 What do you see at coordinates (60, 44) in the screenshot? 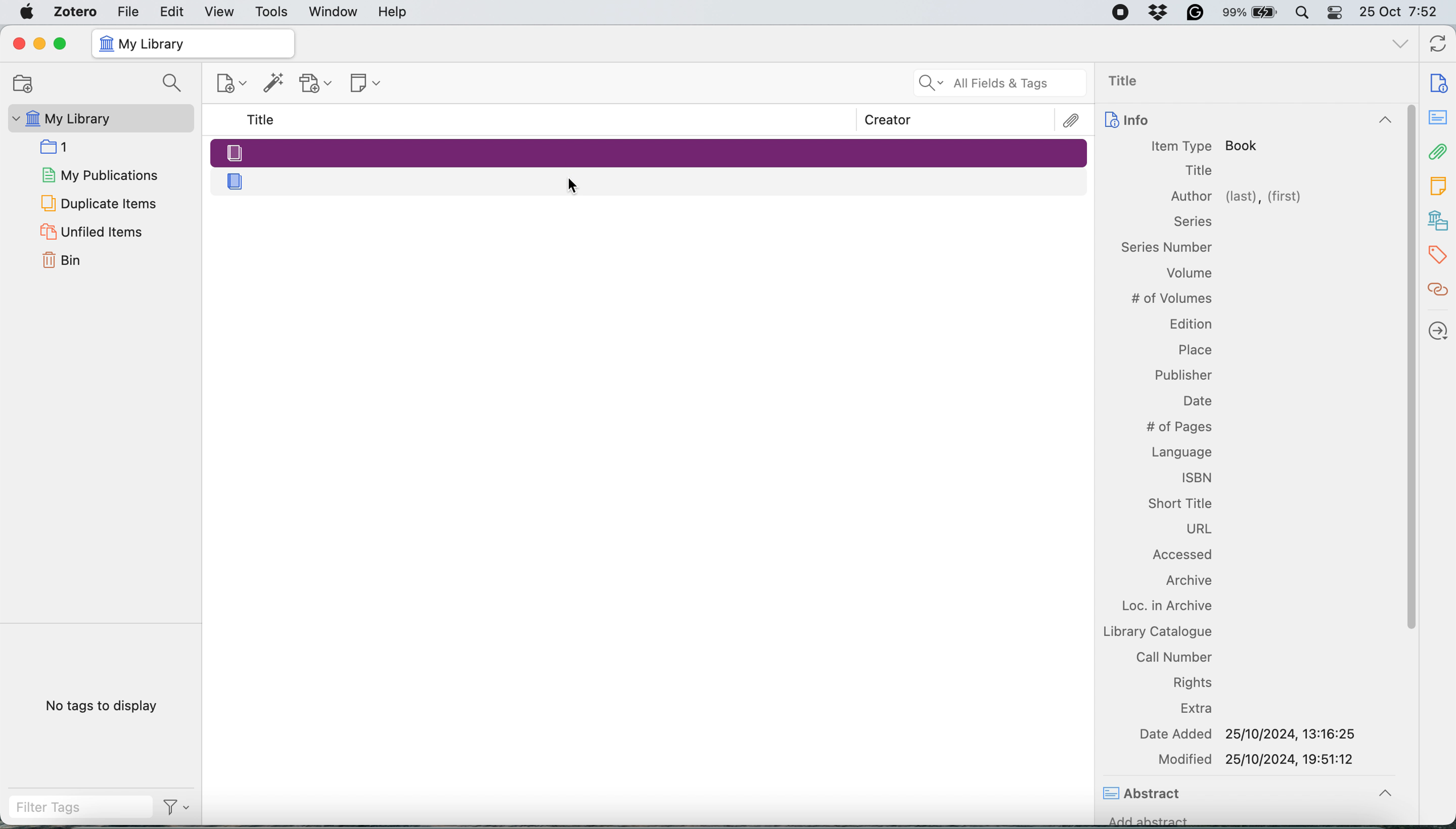
I see `Maximize` at bounding box center [60, 44].